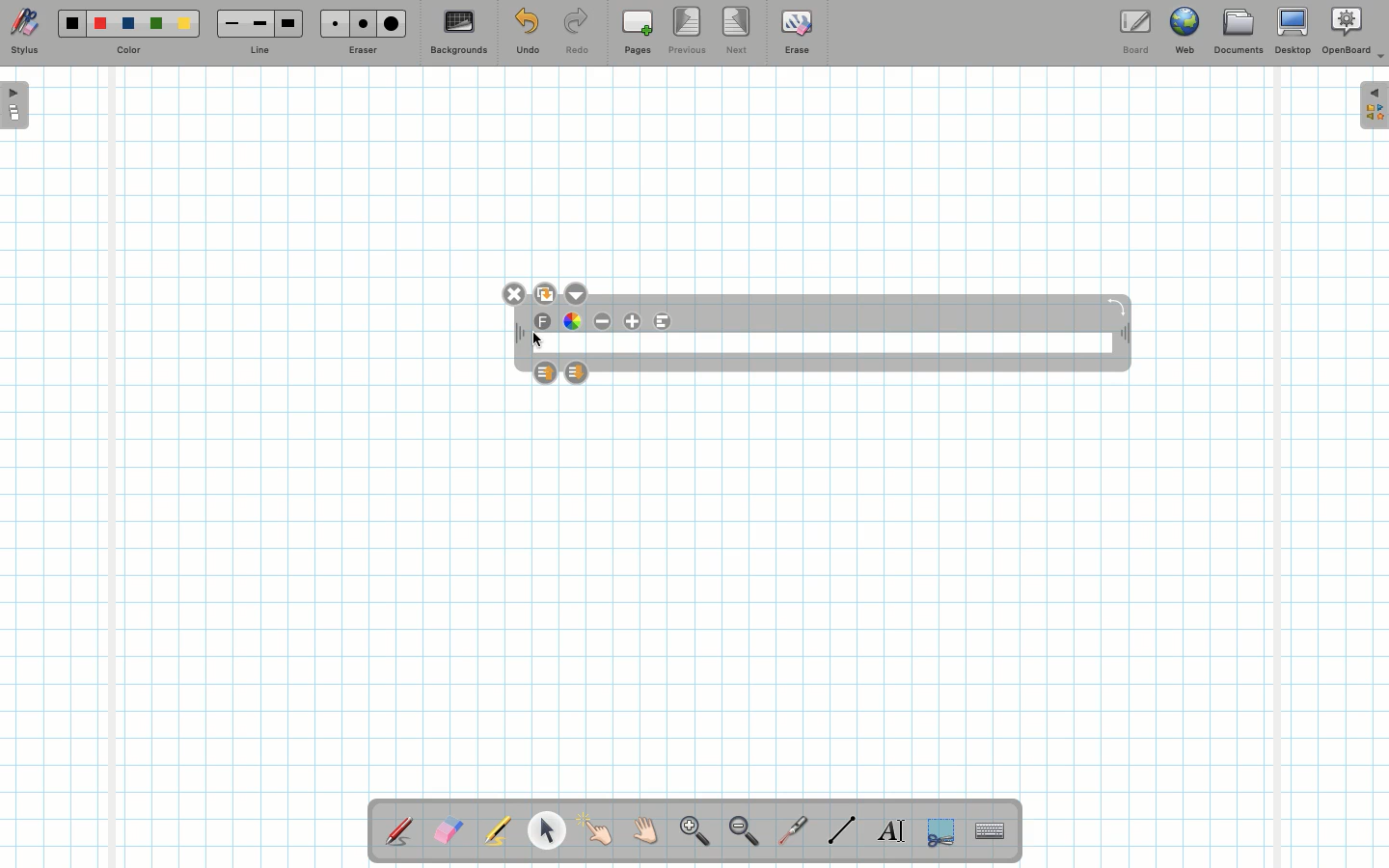  Describe the element at coordinates (1123, 336) in the screenshot. I see `Move` at that location.